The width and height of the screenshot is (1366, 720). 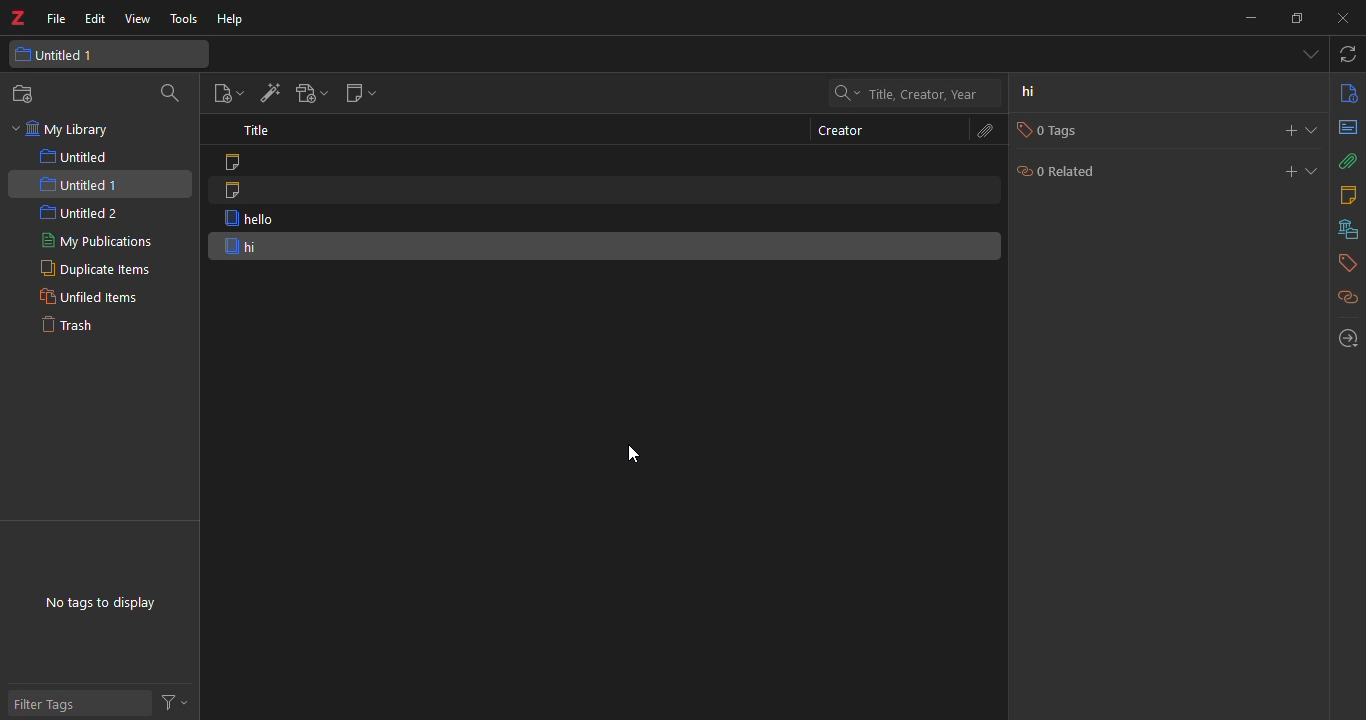 What do you see at coordinates (97, 269) in the screenshot?
I see `duplicate items` at bounding box center [97, 269].